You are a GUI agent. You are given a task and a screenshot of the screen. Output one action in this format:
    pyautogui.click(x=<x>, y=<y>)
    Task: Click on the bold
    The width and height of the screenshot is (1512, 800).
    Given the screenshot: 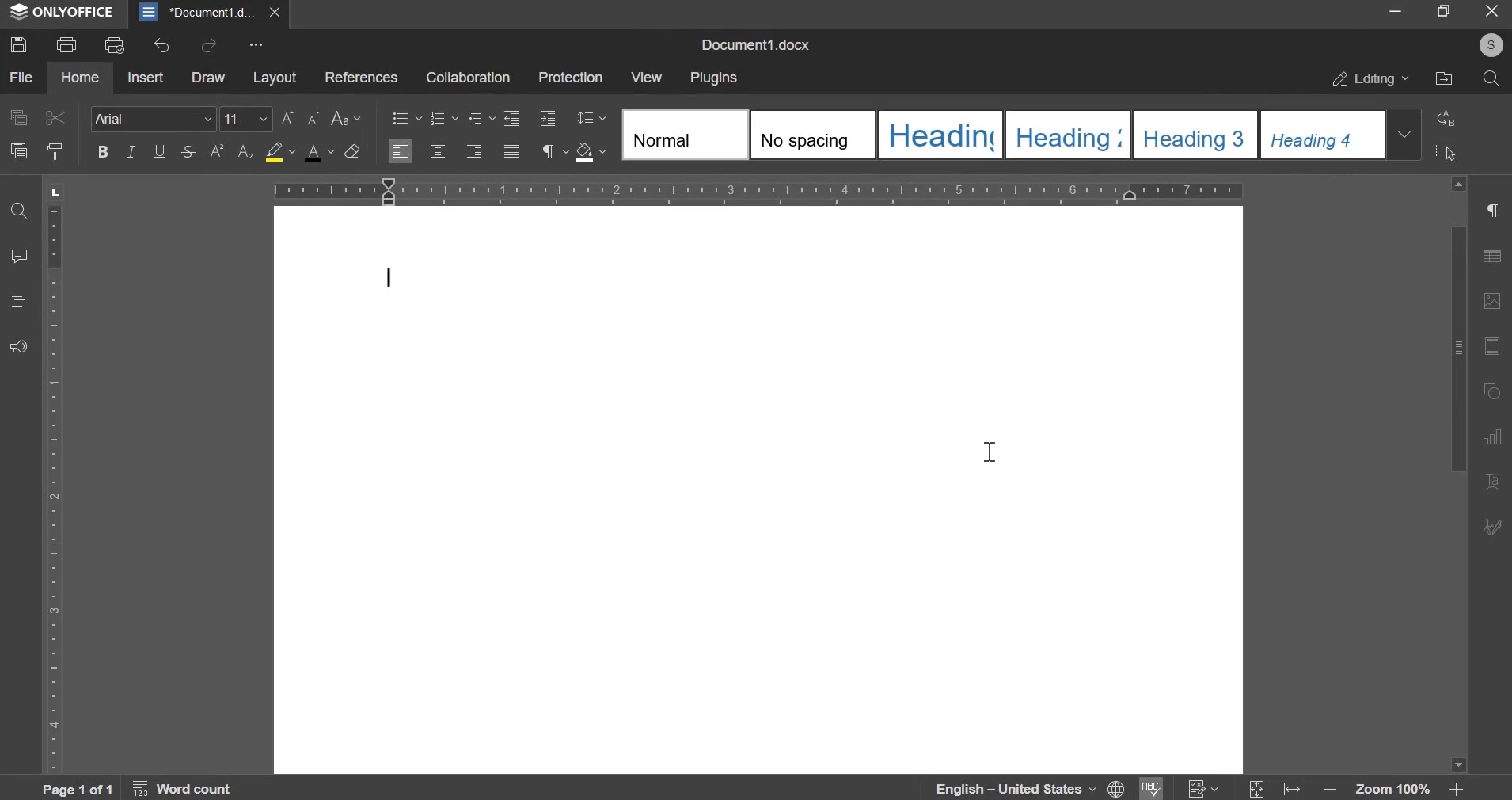 What is the action you would take?
    pyautogui.click(x=102, y=151)
    